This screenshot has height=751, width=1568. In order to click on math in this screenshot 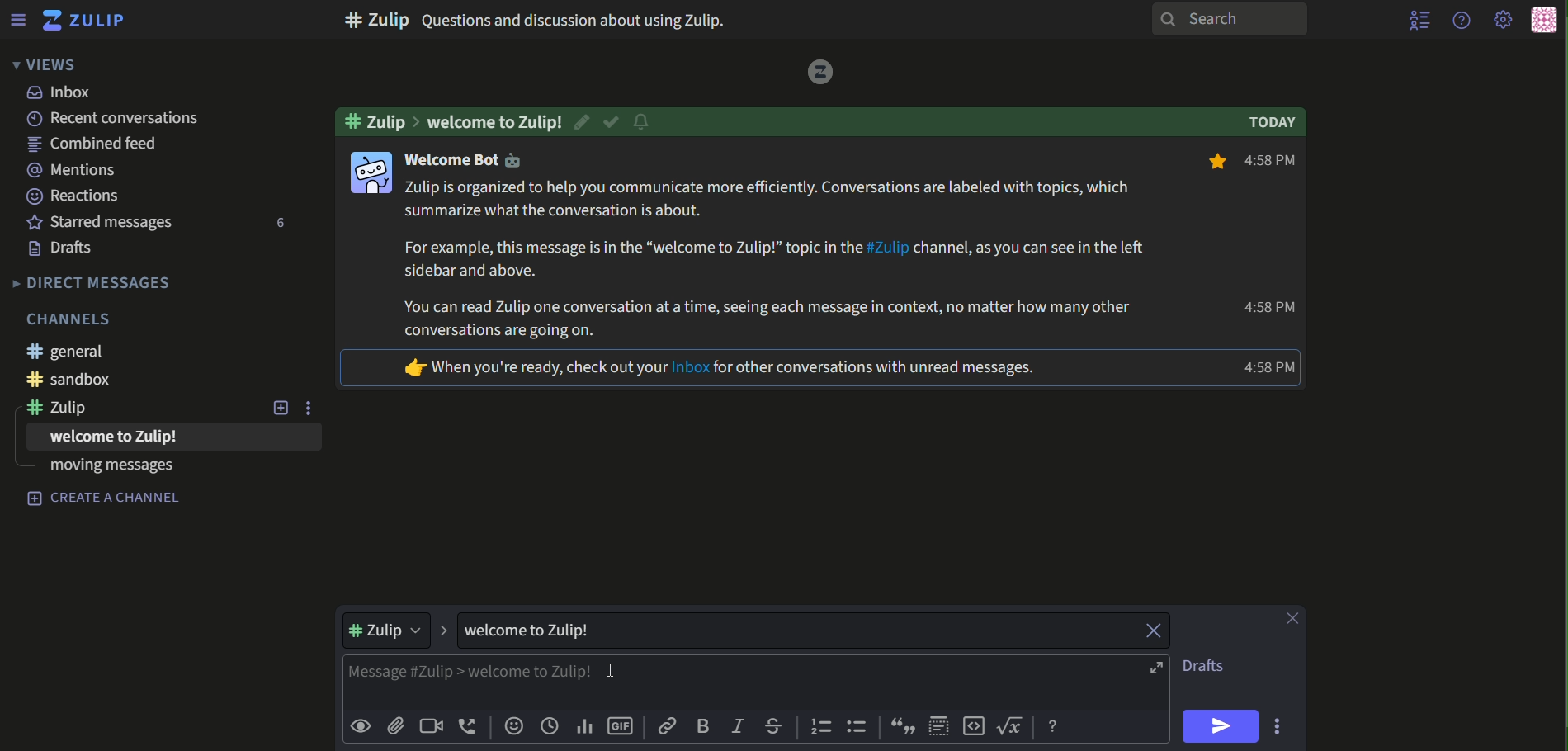, I will do `click(1013, 727)`.